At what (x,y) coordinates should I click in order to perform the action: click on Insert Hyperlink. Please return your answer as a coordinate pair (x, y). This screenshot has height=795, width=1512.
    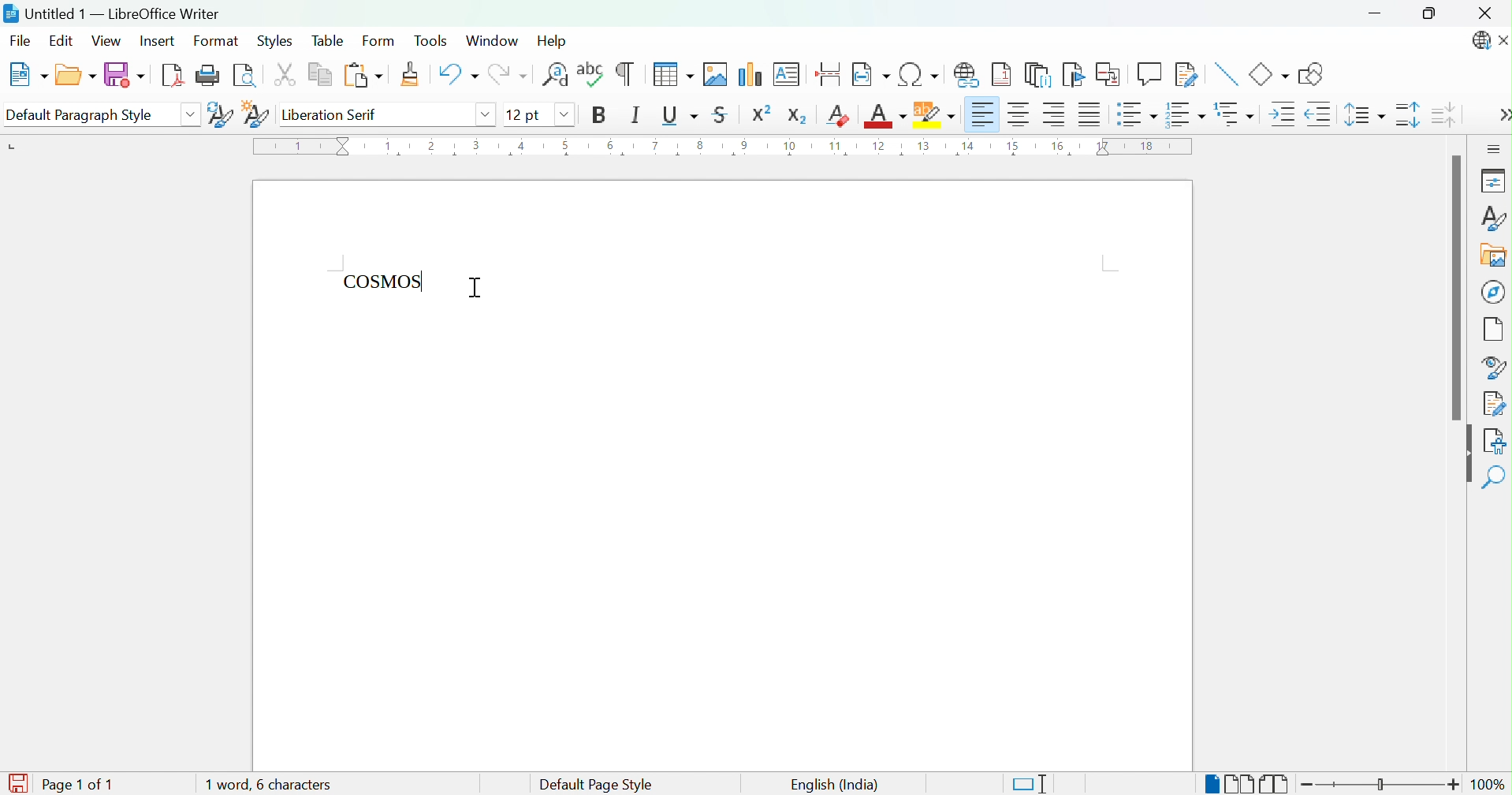
    Looking at the image, I should click on (968, 73).